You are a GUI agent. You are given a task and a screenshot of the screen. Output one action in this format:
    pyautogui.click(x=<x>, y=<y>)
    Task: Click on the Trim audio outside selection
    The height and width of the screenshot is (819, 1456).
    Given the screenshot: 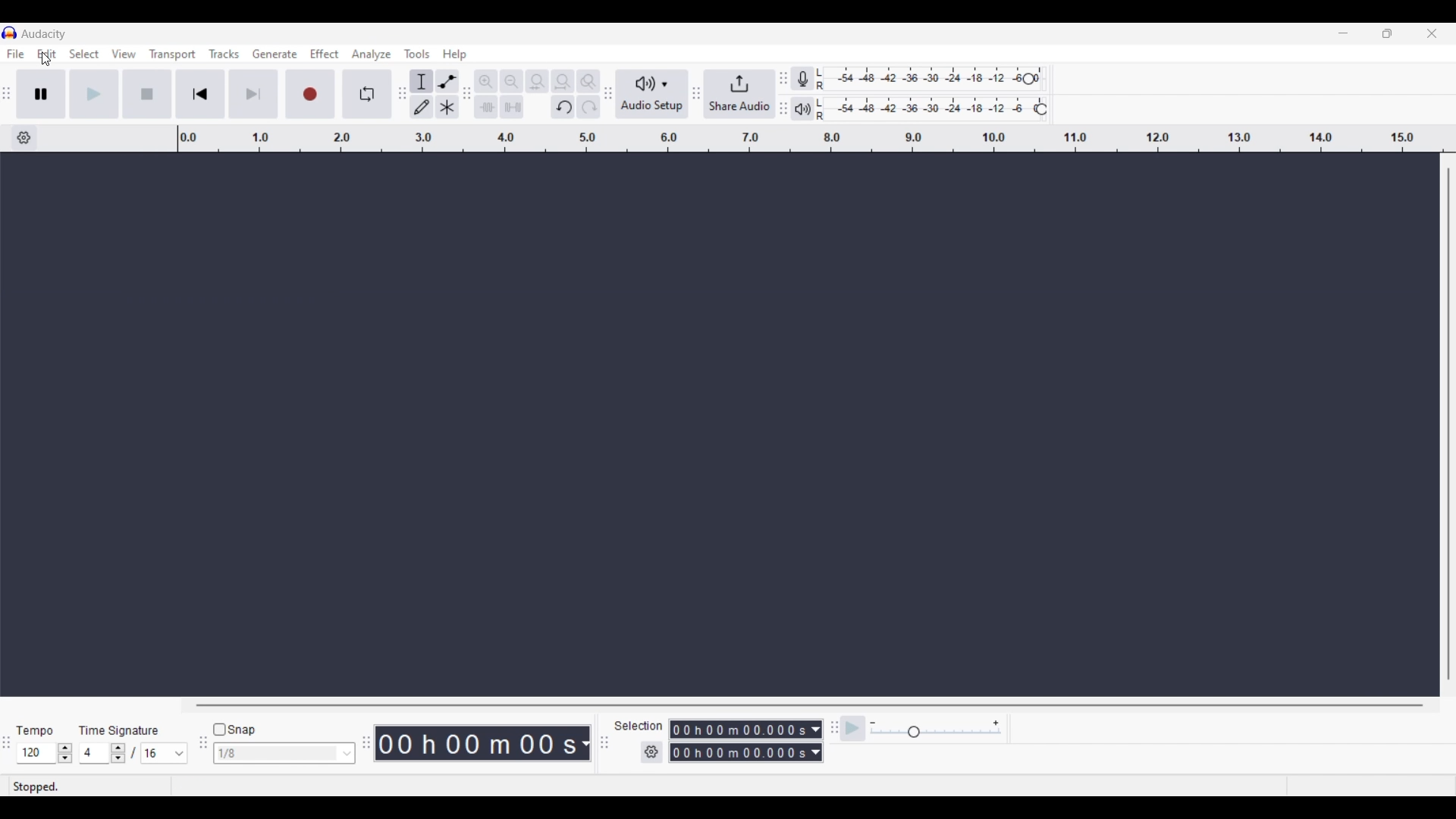 What is the action you would take?
    pyautogui.click(x=485, y=106)
    